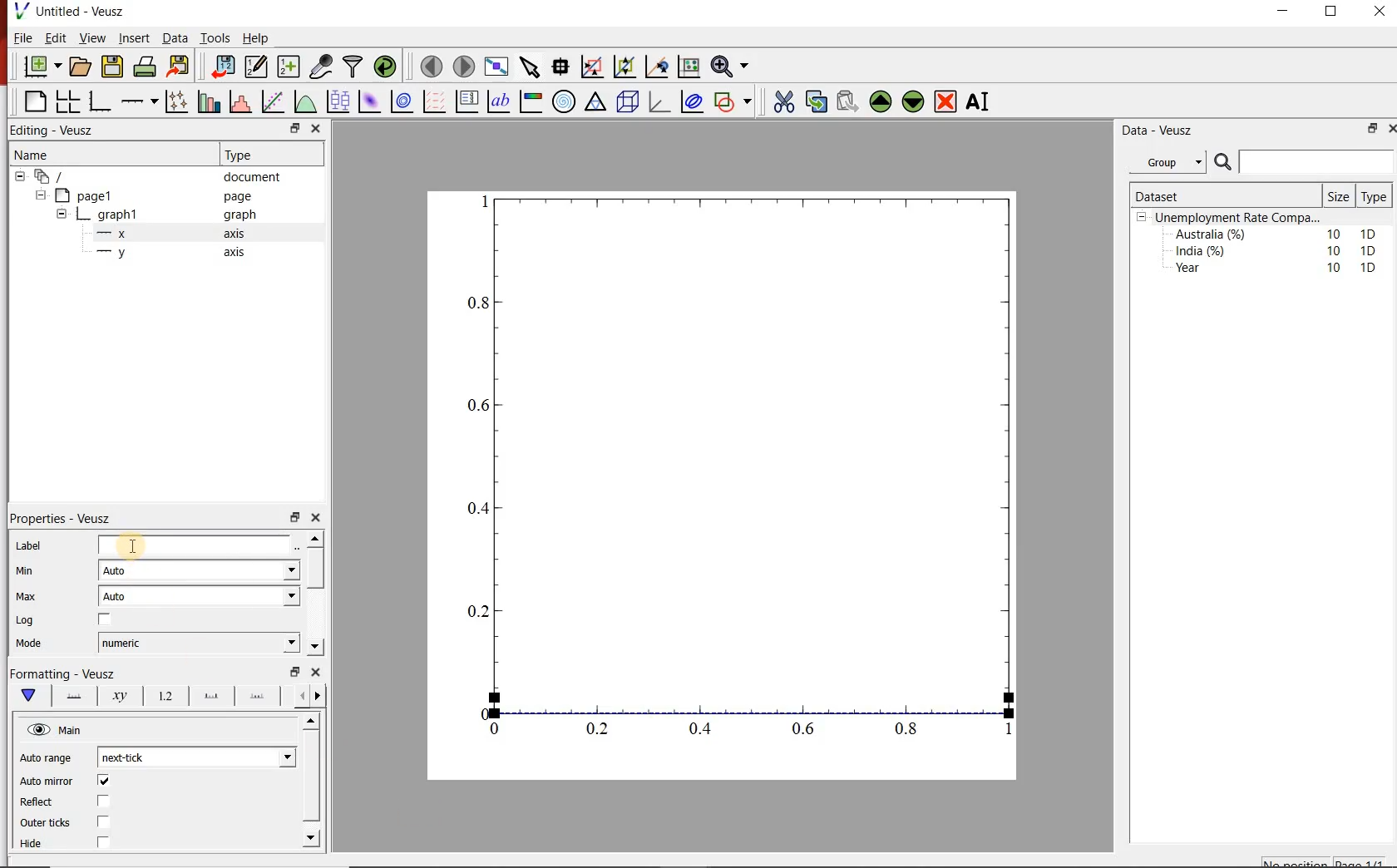  I want to click on numeric, so click(200, 643).